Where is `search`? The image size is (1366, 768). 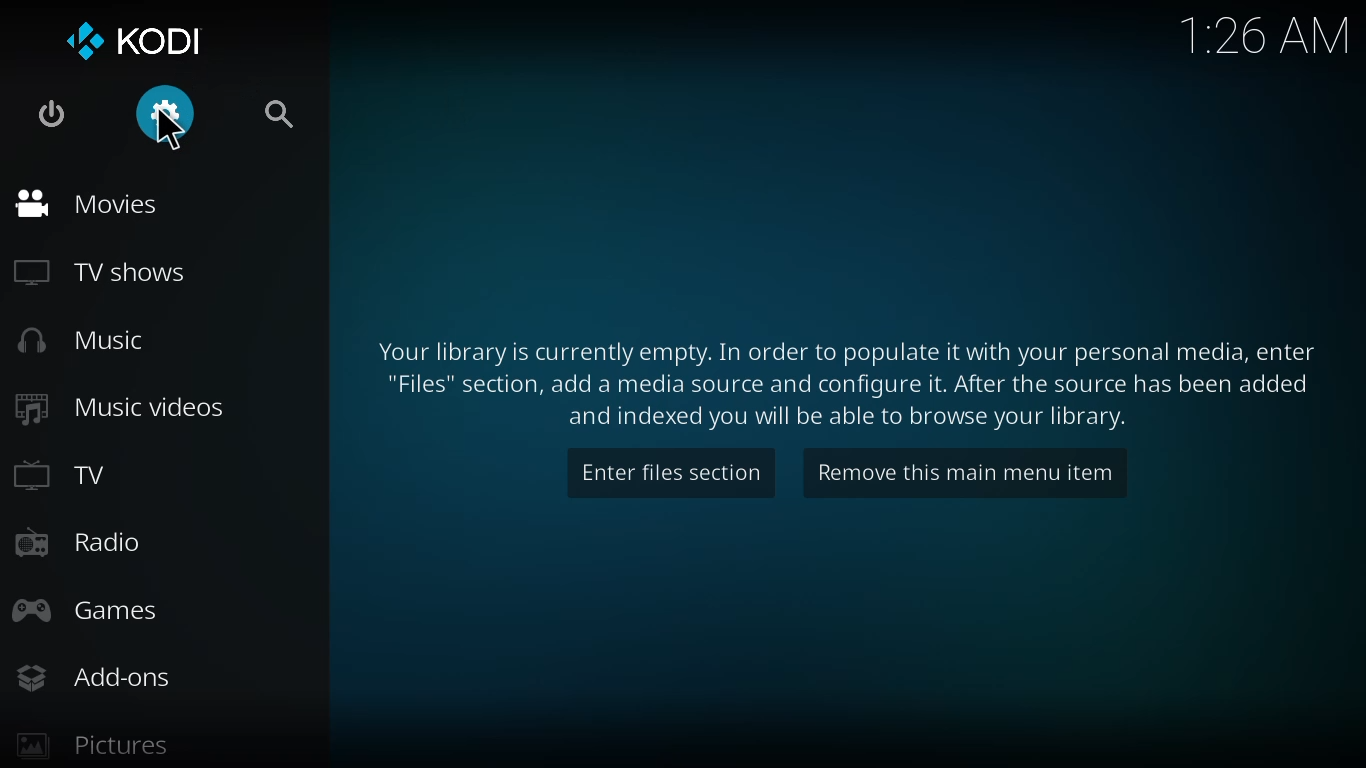 search is located at coordinates (278, 114).